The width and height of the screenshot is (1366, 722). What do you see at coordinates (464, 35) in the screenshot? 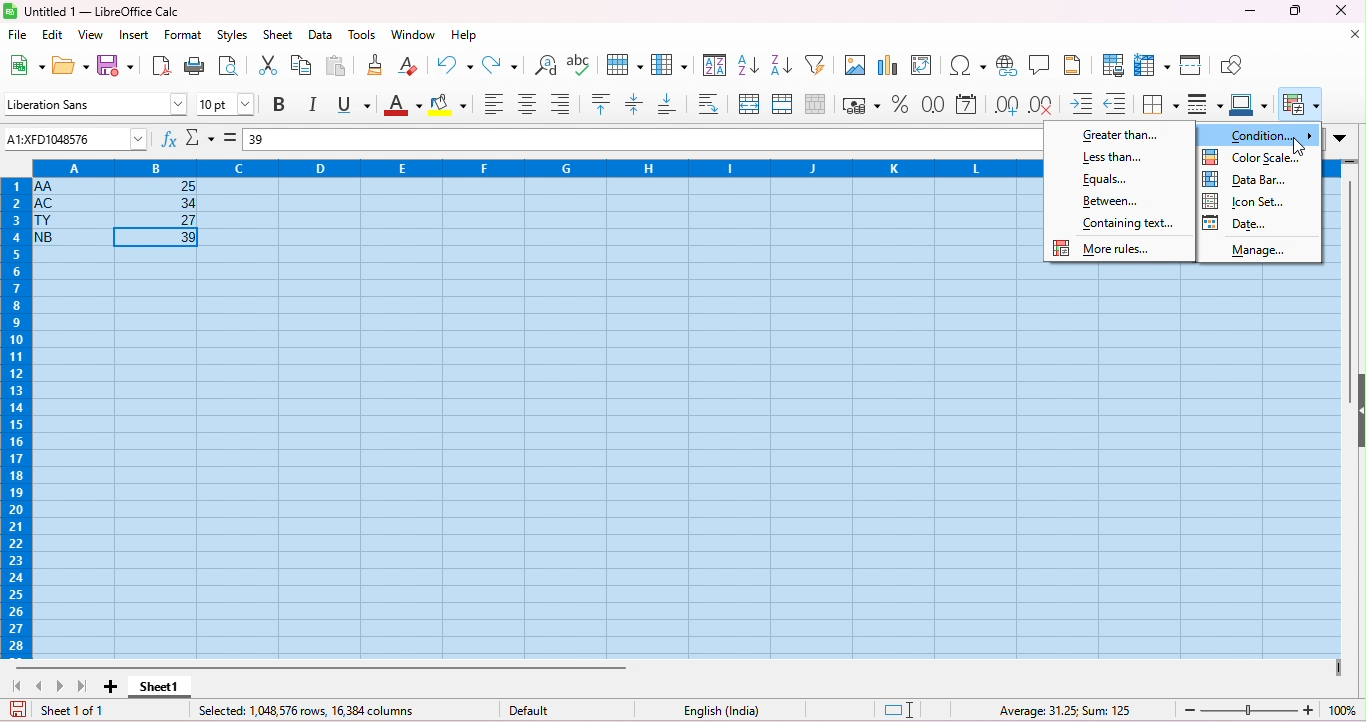
I see `help` at bounding box center [464, 35].